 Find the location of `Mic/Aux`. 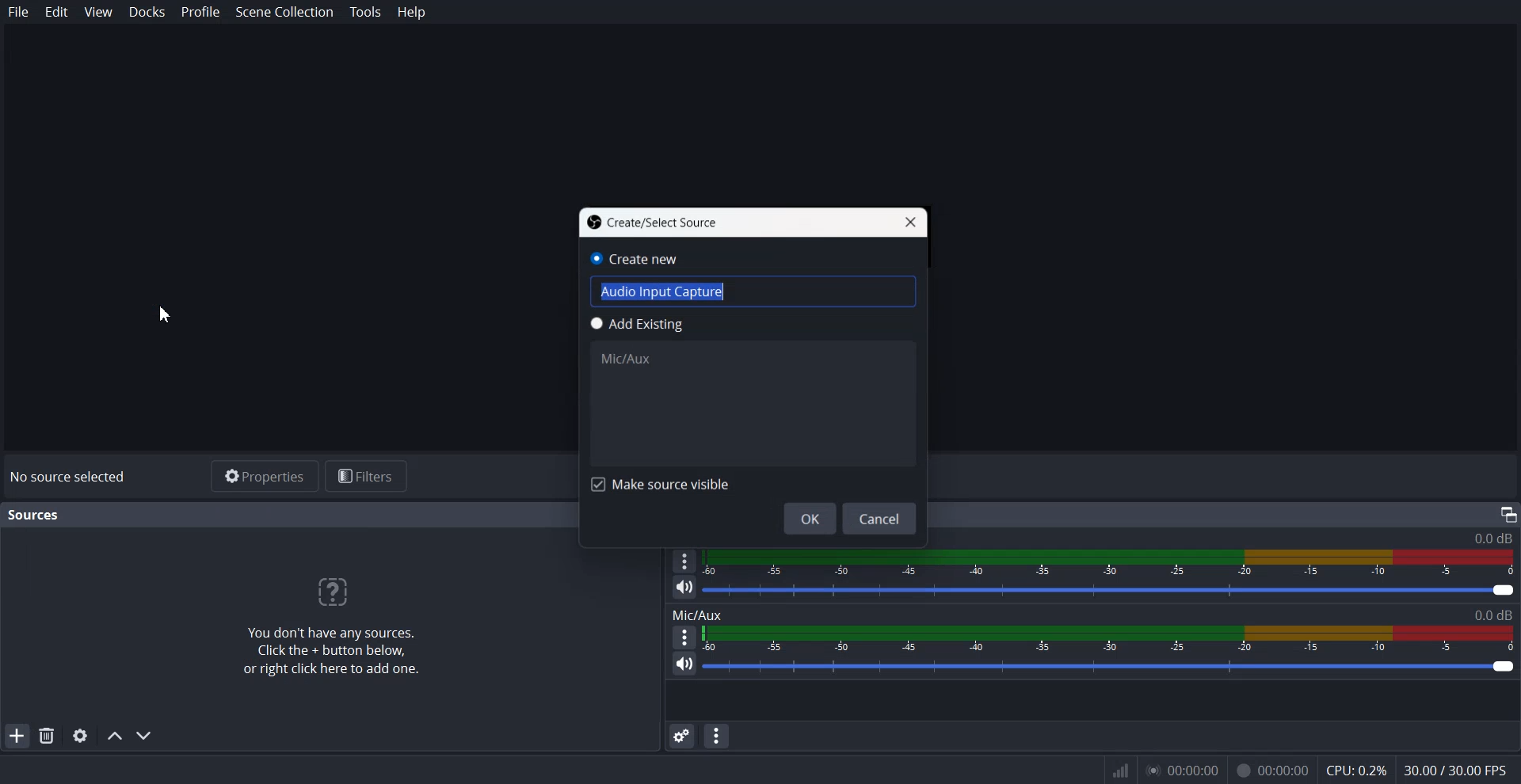

Mic/Aux is located at coordinates (627, 358).